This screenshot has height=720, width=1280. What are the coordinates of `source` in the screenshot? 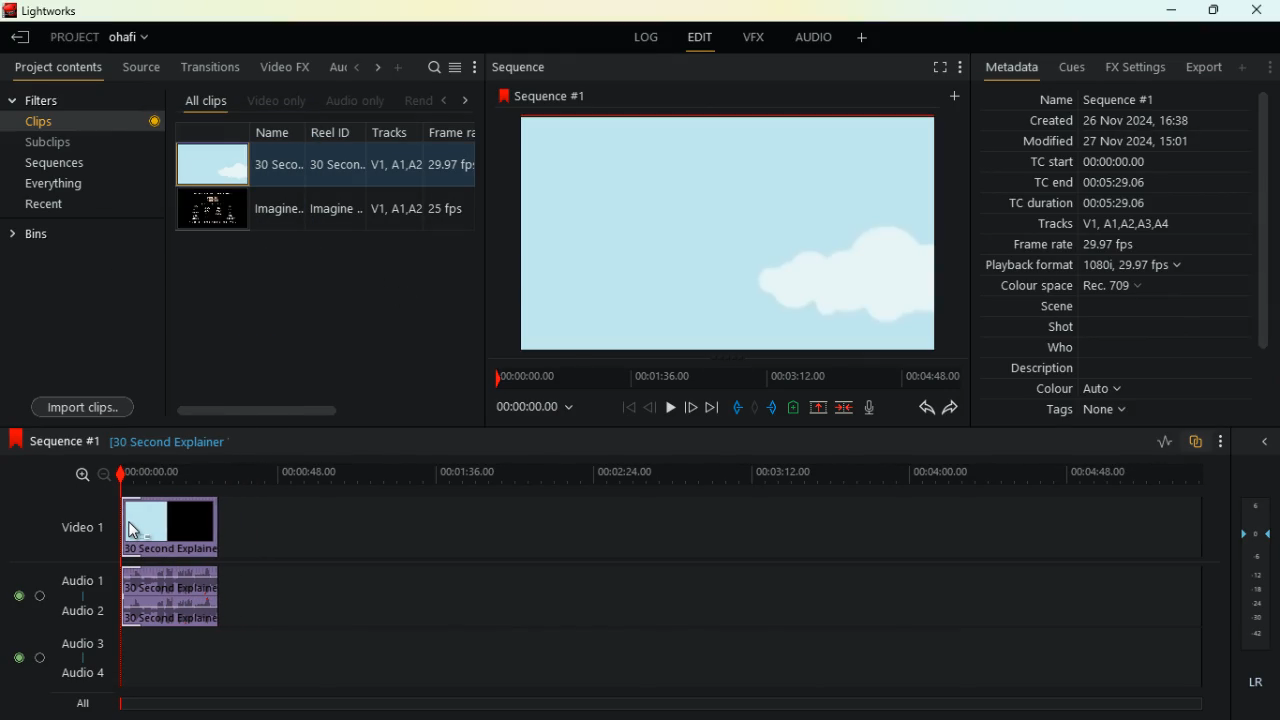 It's located at (144, 67).